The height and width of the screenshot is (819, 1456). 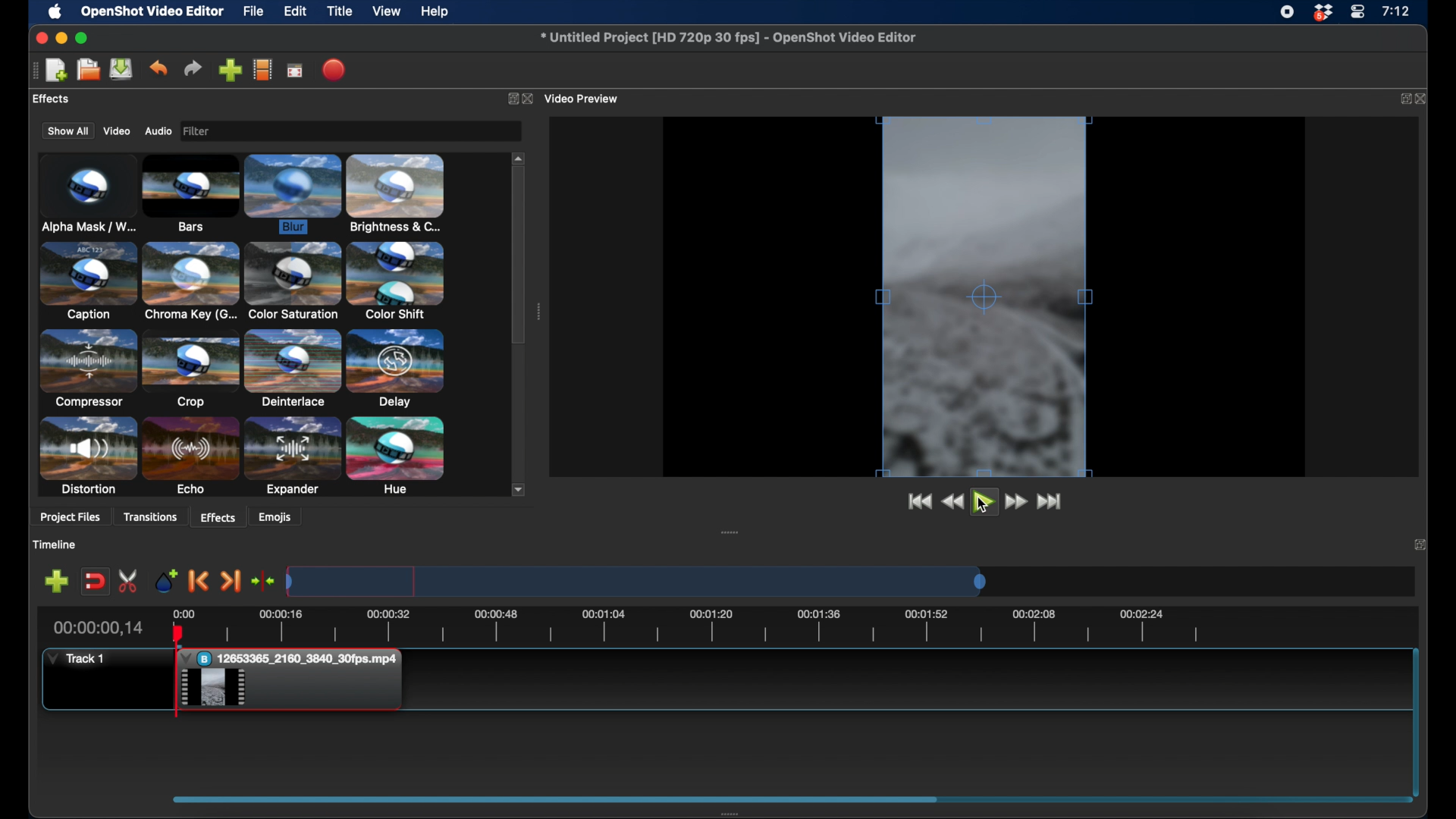 I want to click on file, so click(x=253, y=11).